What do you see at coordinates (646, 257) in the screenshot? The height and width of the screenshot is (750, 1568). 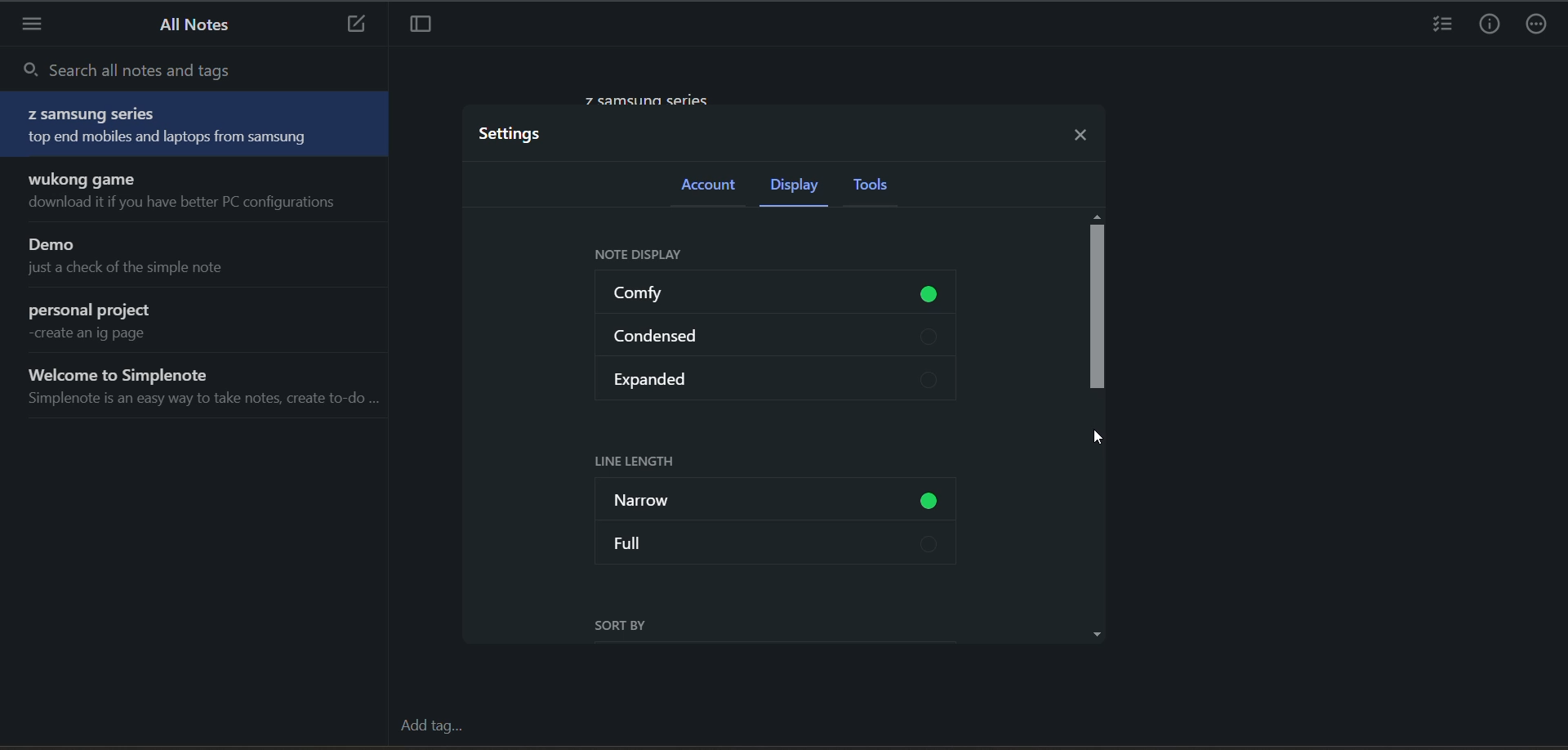 I see `note display` at bounding box center [646, 257].